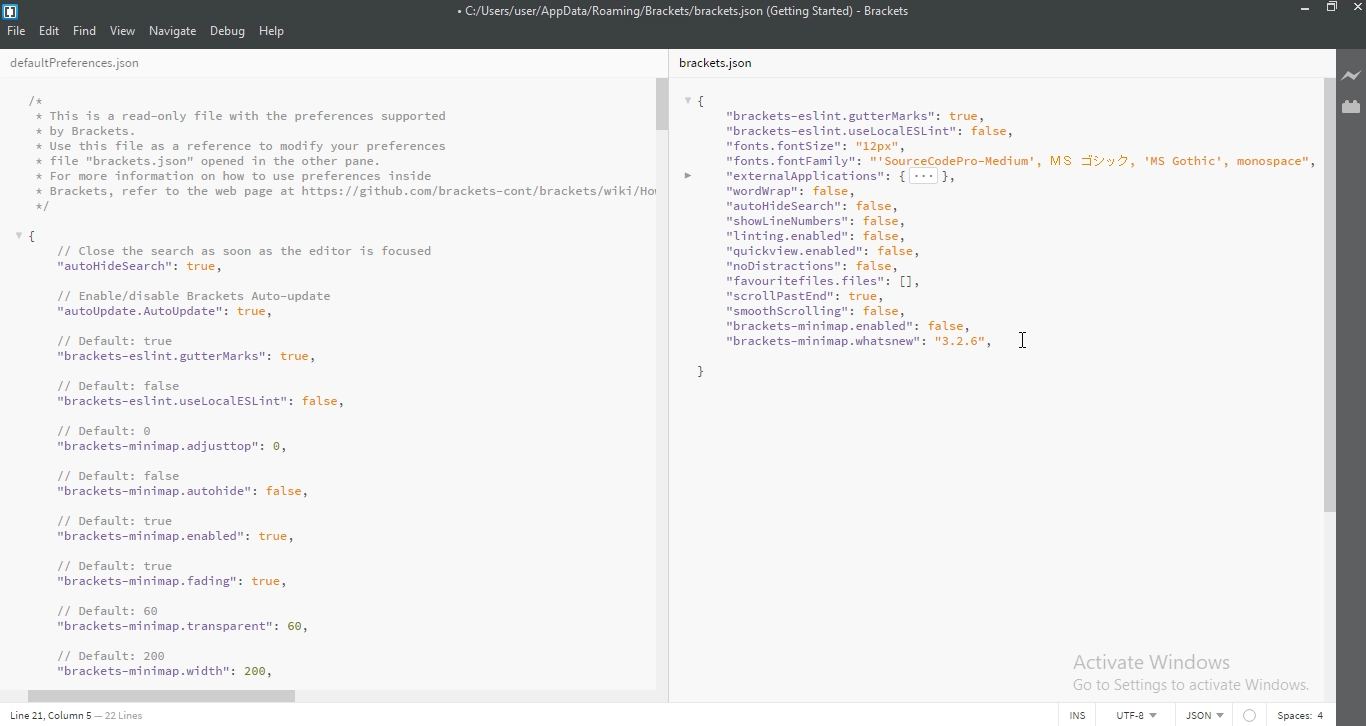  What do you see at coordinates (18, 30) in the screenshot?
I see `File` at bounding box center [18, 30].